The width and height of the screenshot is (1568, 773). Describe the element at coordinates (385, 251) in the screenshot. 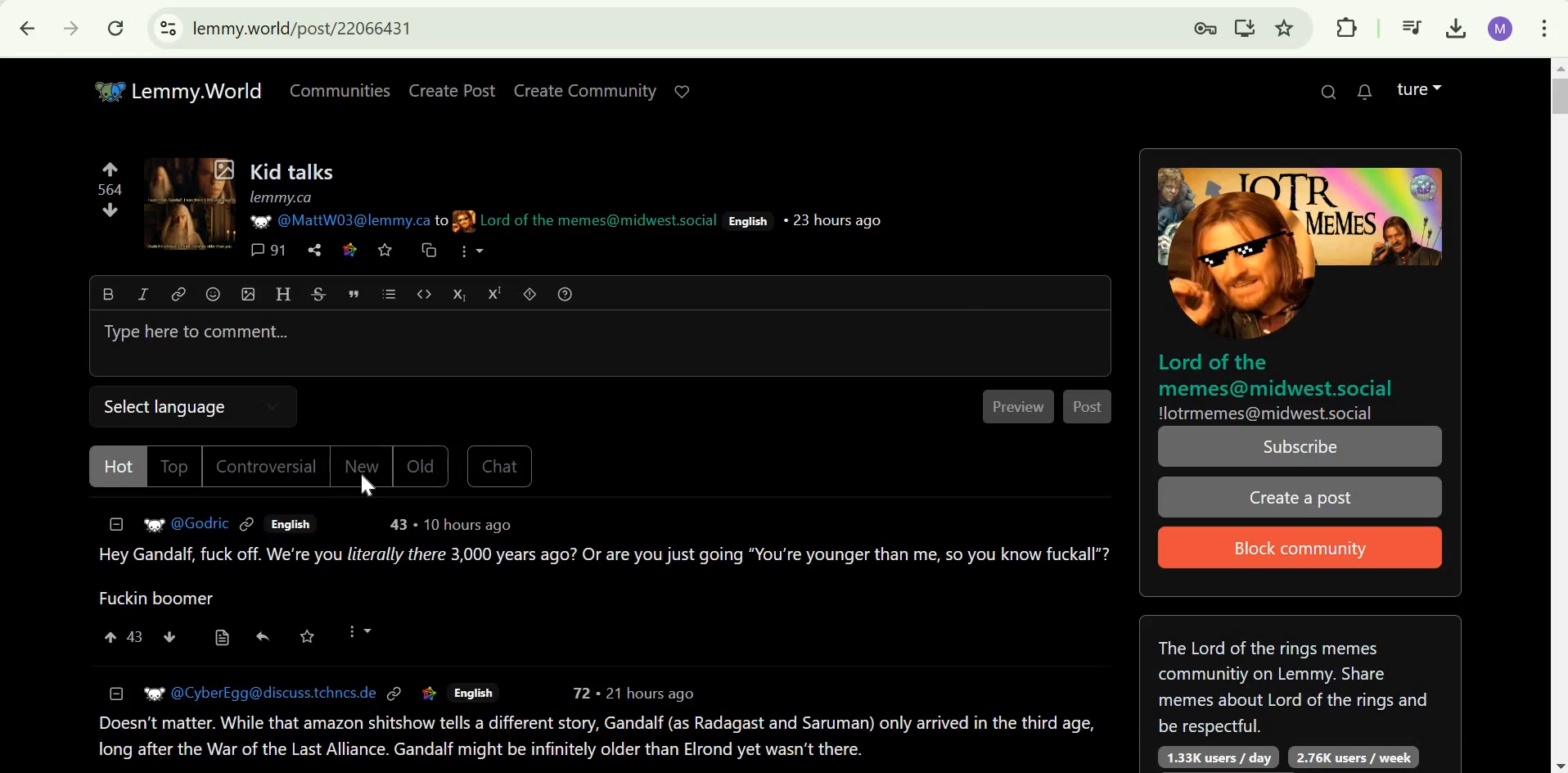

I see `save` at that location.